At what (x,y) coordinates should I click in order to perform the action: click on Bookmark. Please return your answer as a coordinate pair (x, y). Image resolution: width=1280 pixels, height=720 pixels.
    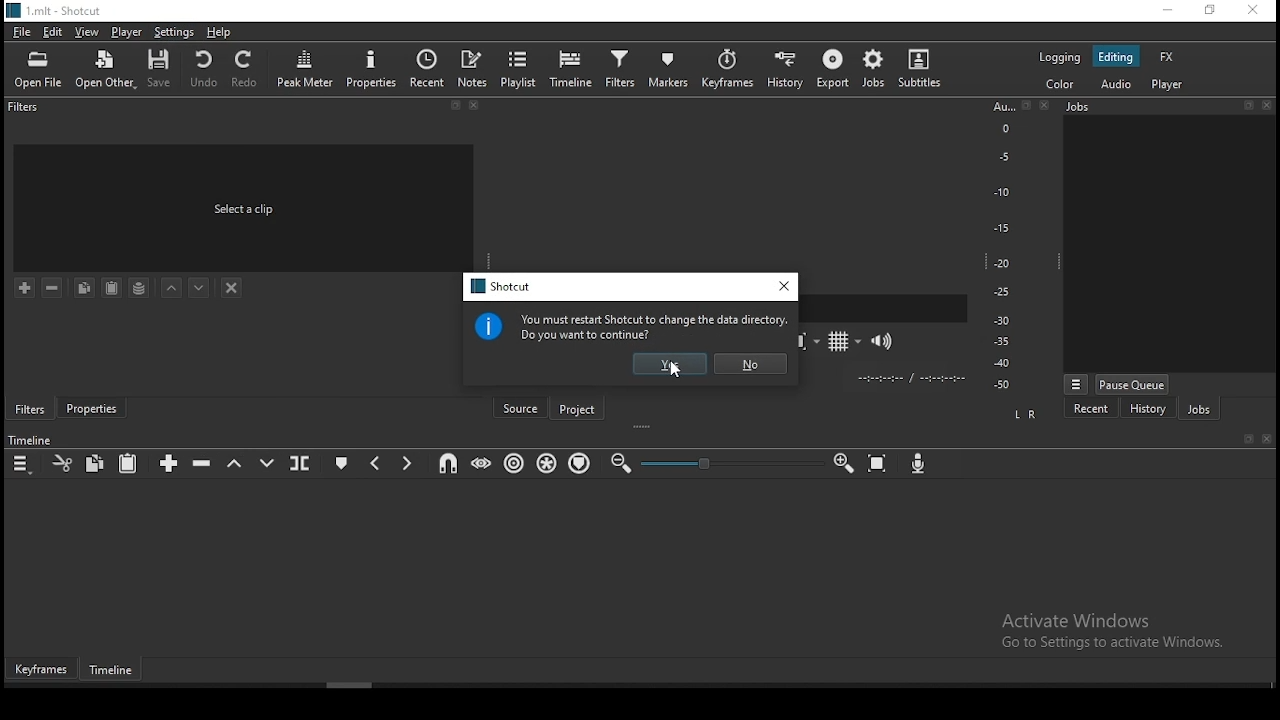
    Looking at the image, I should click on (1027, 106).